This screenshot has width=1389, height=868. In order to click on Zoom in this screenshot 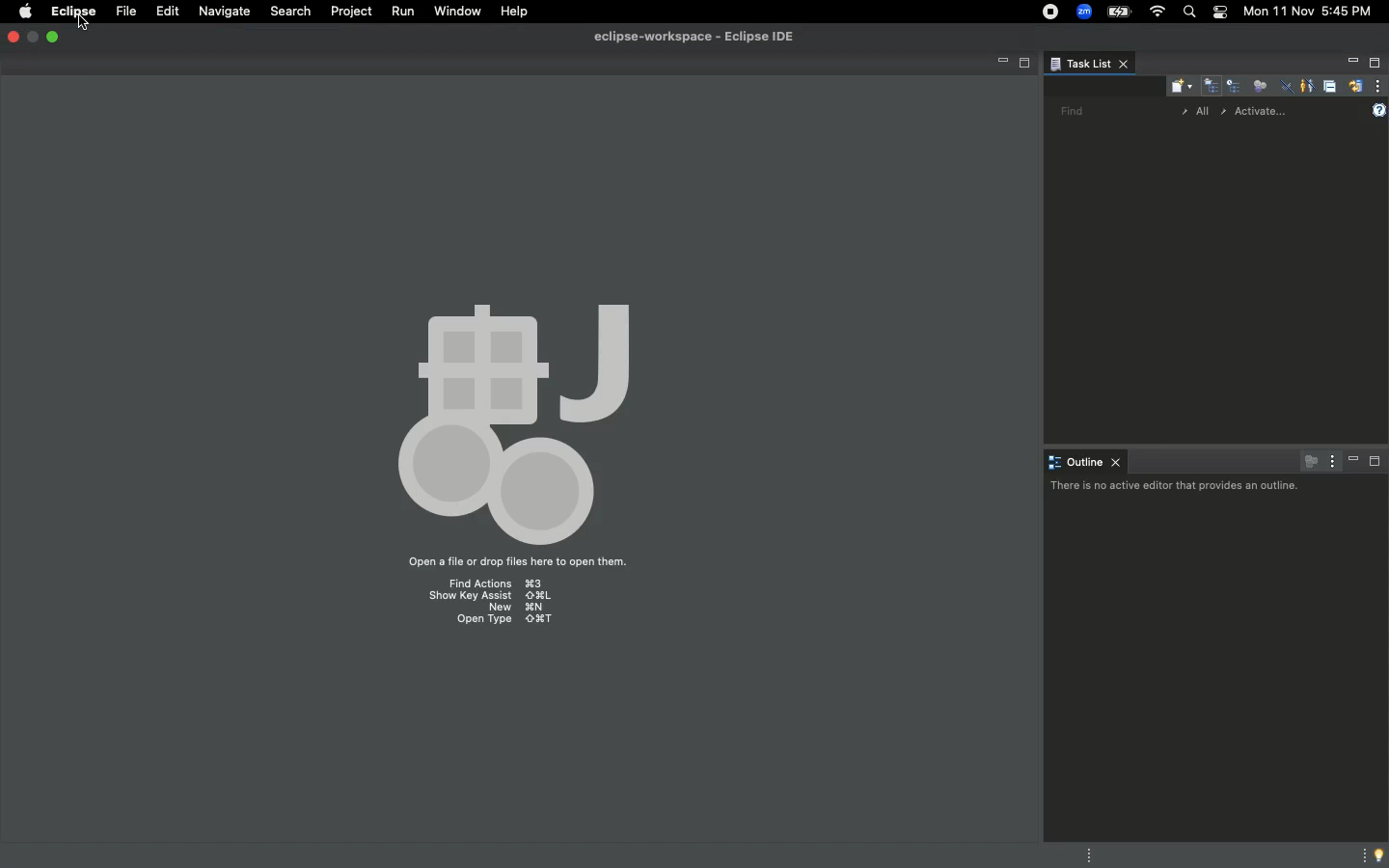, I will do `click(1083, 14)`.